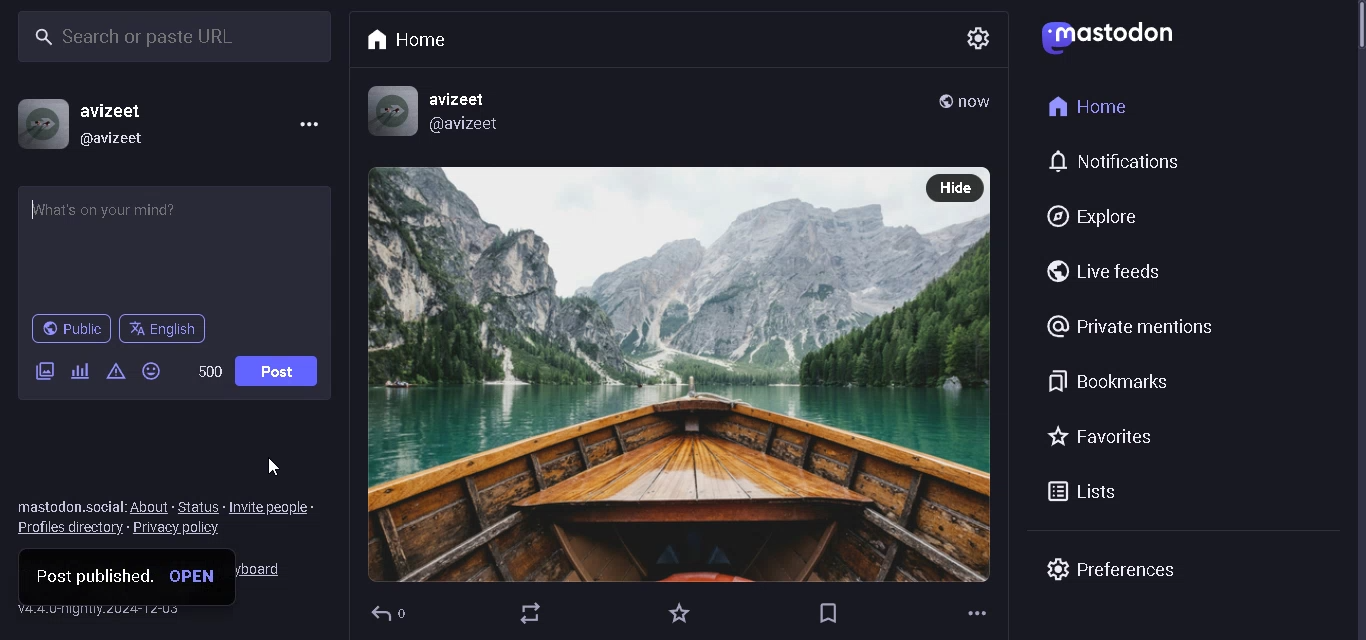  Describe the element at coordinates (199, 507) in the screenshot. I see `status` at that location.